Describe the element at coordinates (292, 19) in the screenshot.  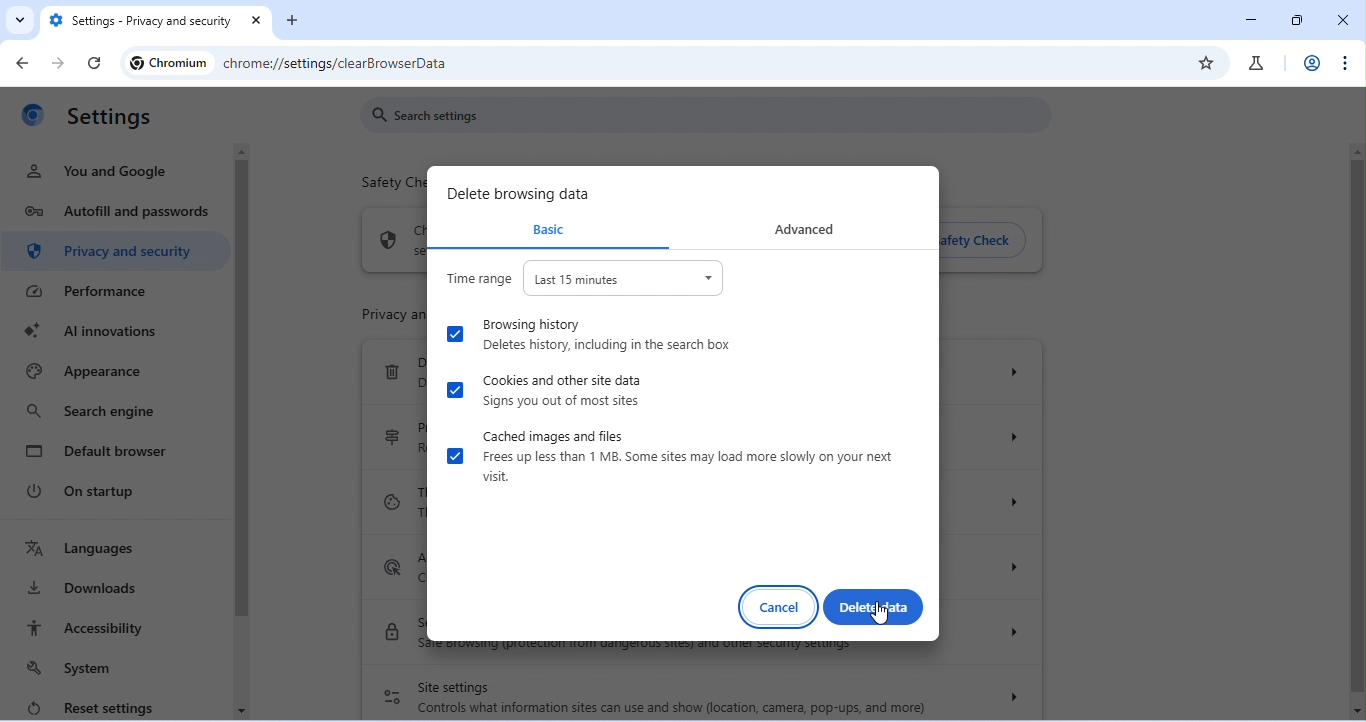
I see `add new tab` at that location.